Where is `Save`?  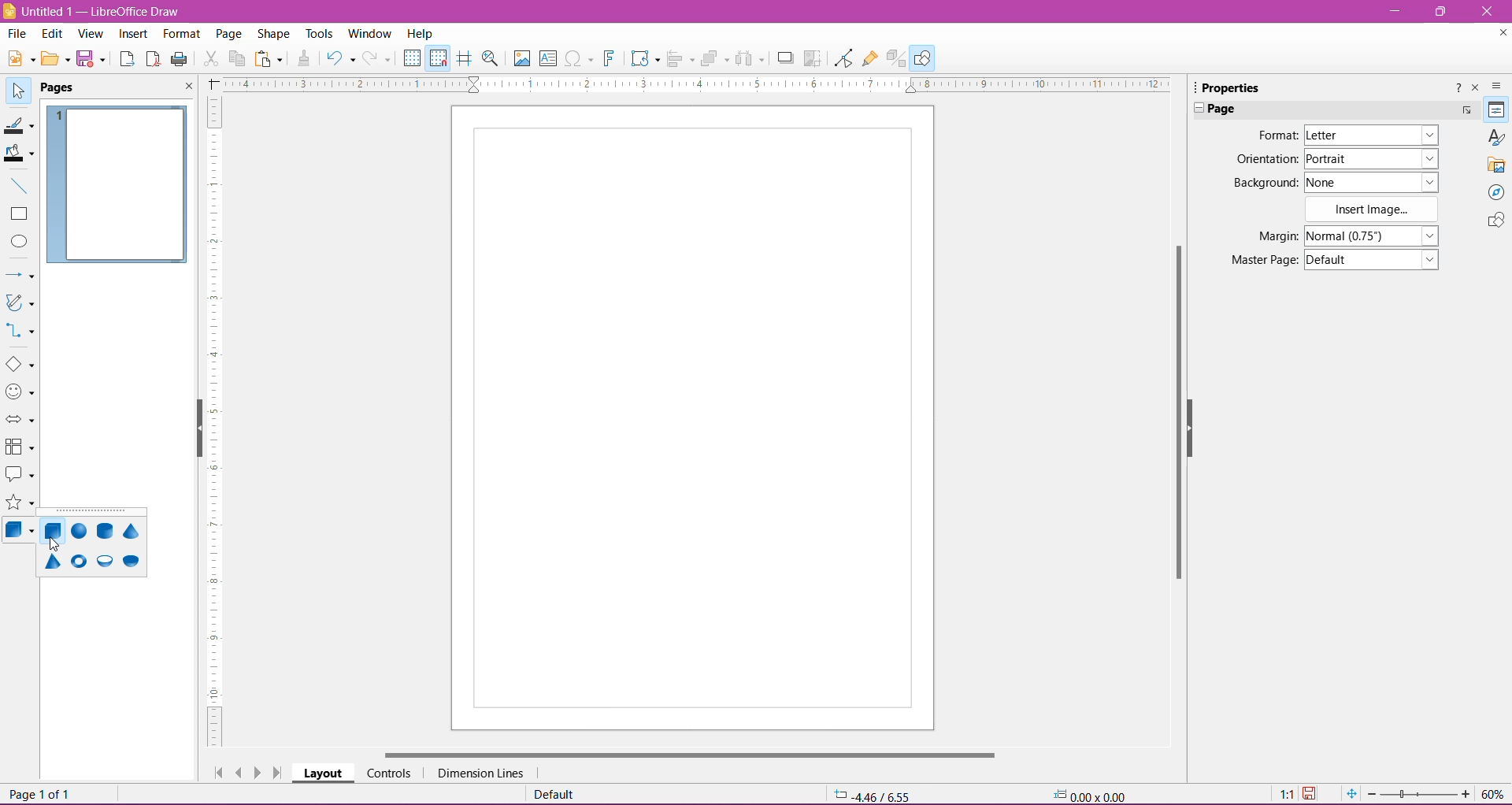
Save is located at coordinates (91, 60).